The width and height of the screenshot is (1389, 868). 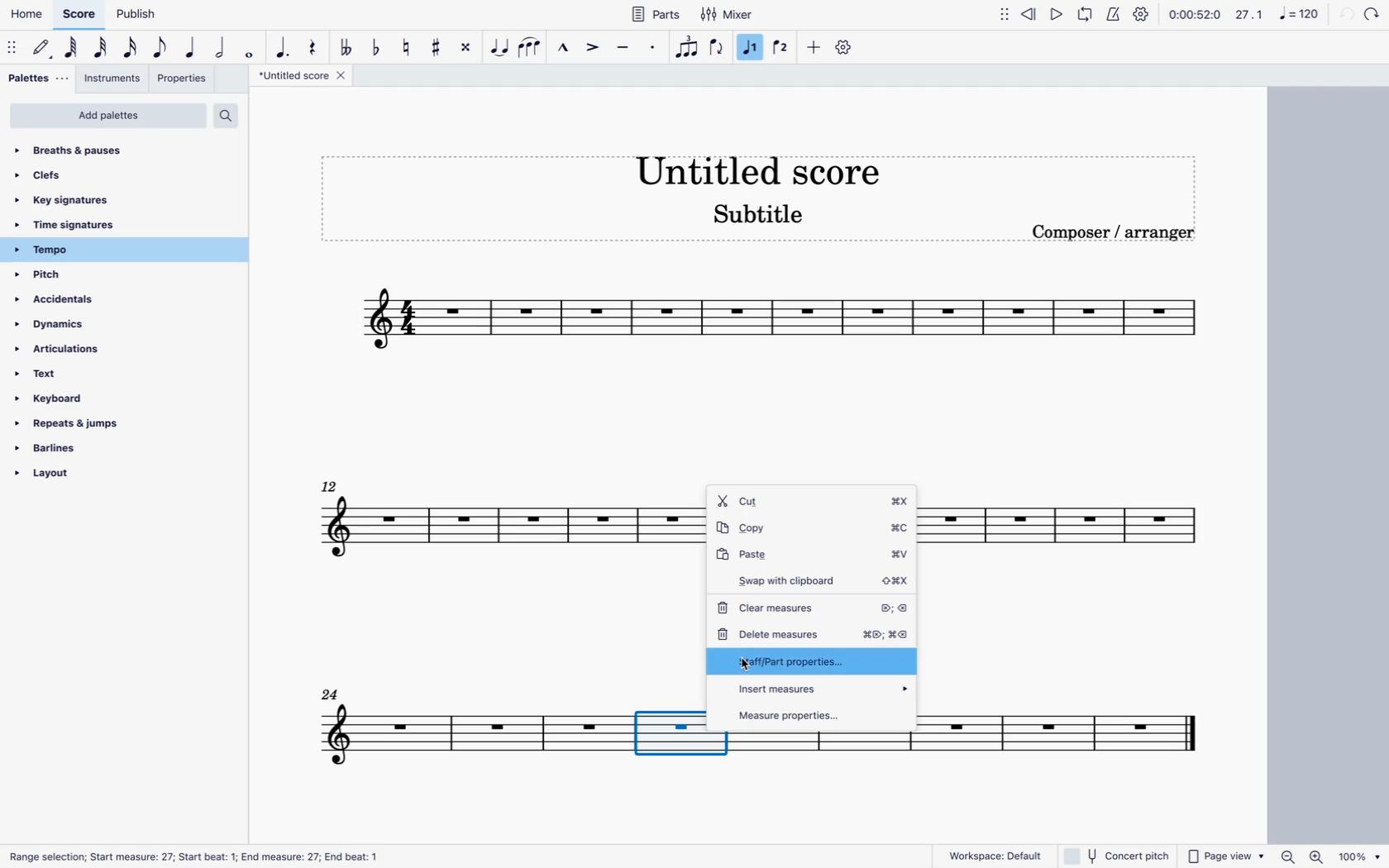 What do you see at coordinates (82, 399) in the screenshot?
I see `keyboard` at bounding box center [82, 399].